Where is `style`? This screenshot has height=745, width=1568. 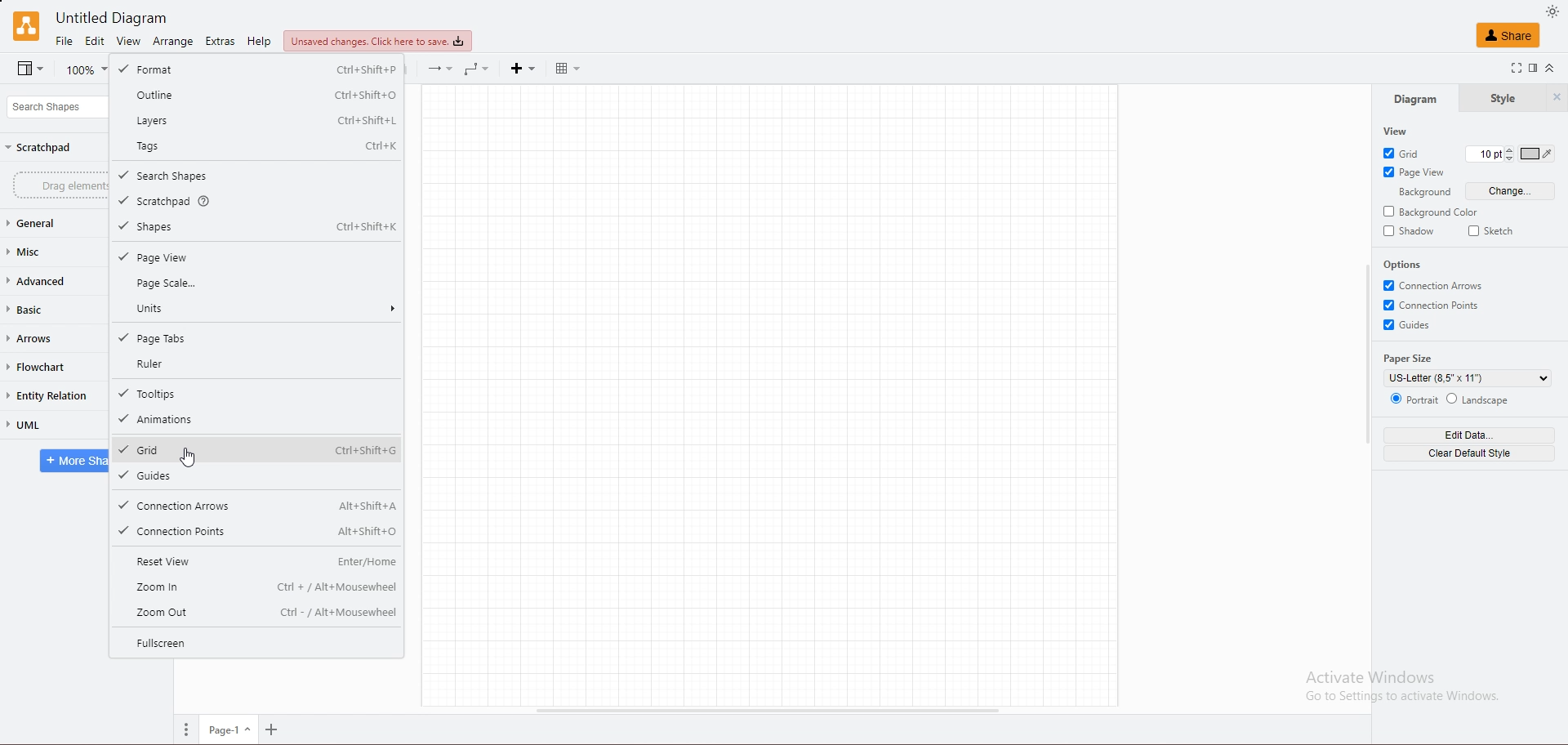
style is located at coordinates (1502, 99).